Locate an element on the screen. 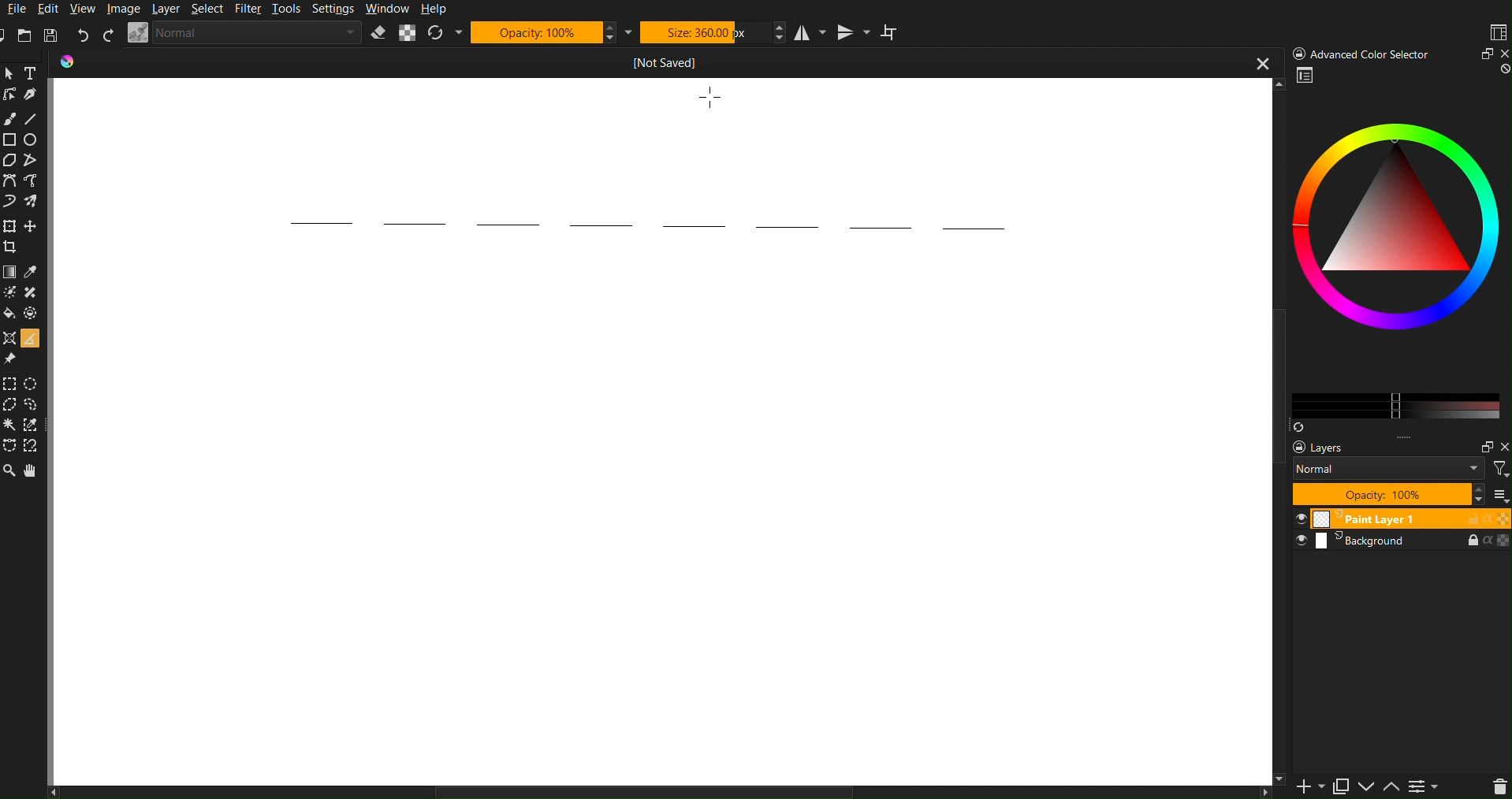 The width and height of the screenshot is (1512, 799). Refresh is located at coordinates (444, 33).